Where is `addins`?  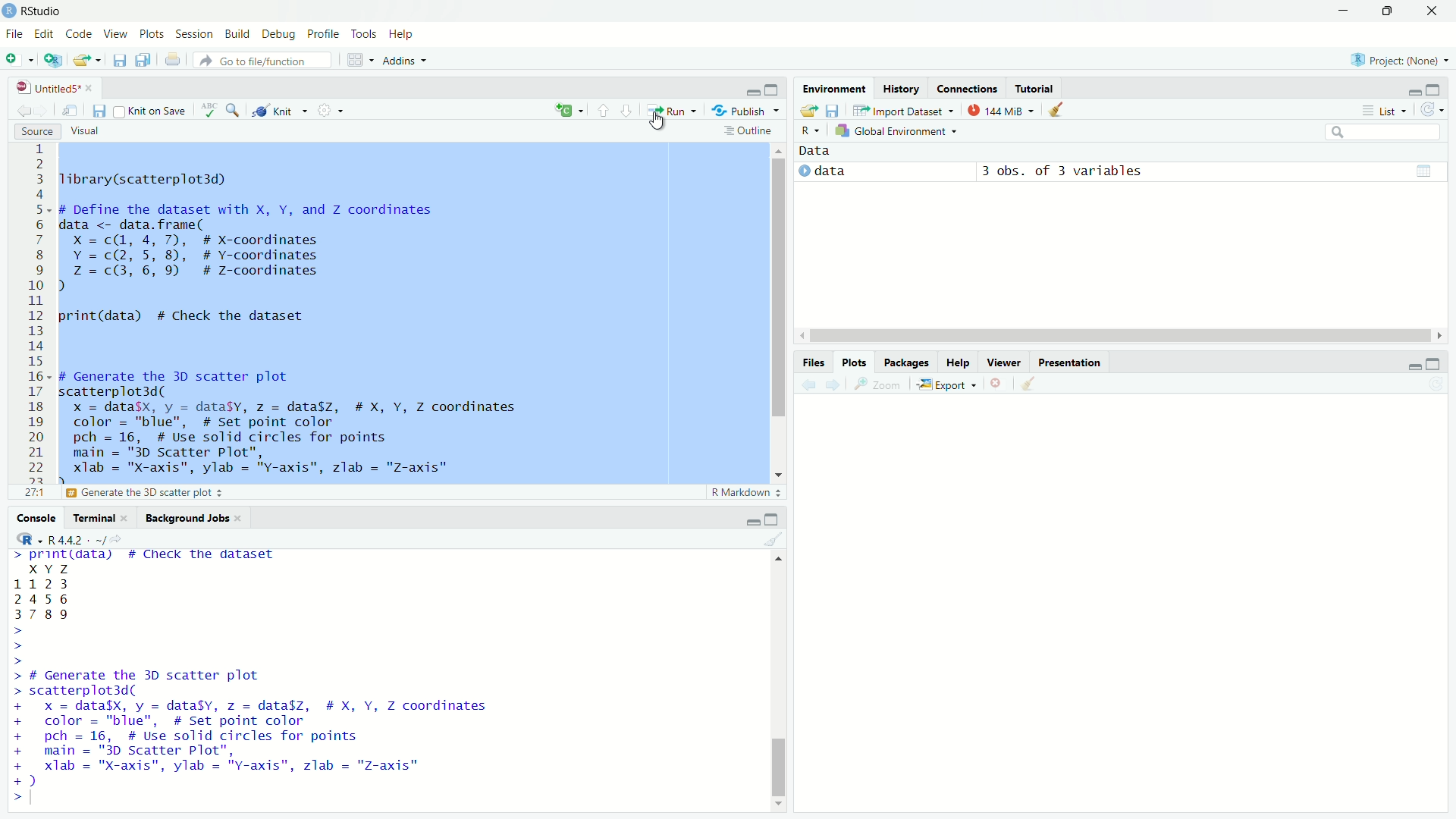
addins is located at coordinates (409, 61).